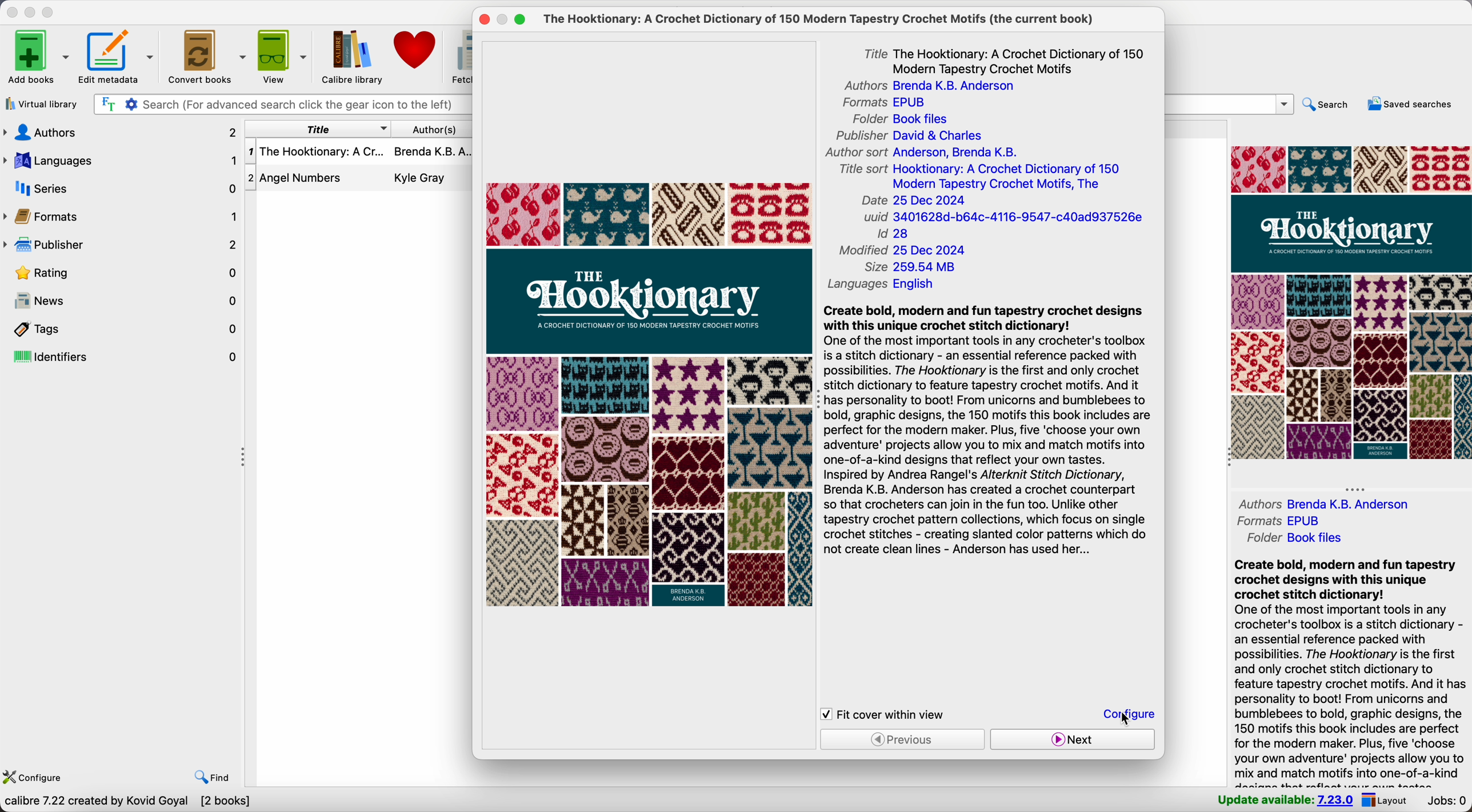  I want to click on id, so click(891, 235).